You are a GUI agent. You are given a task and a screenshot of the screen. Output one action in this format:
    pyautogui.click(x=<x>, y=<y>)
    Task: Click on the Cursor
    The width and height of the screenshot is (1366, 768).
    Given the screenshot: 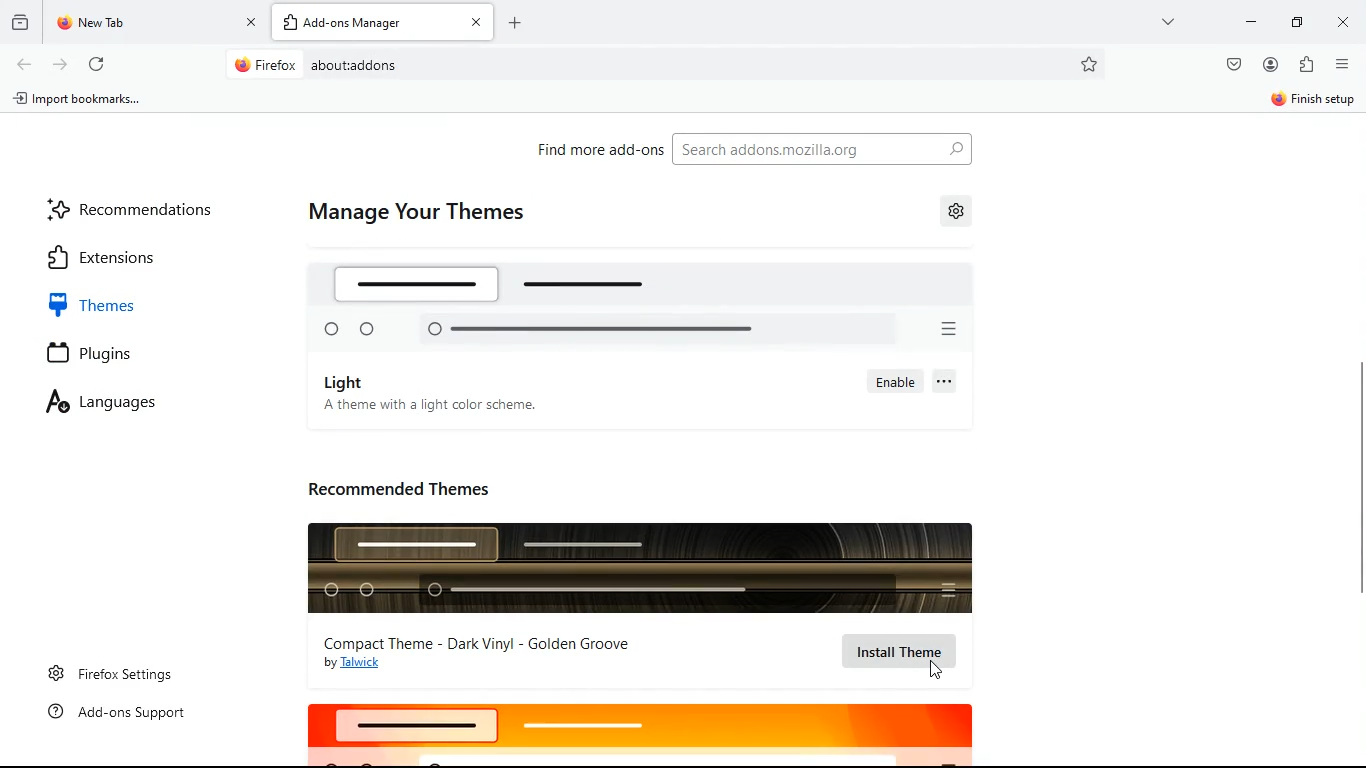 What is the action you would take?
    pyautogui.click(x=934, y=669)
    